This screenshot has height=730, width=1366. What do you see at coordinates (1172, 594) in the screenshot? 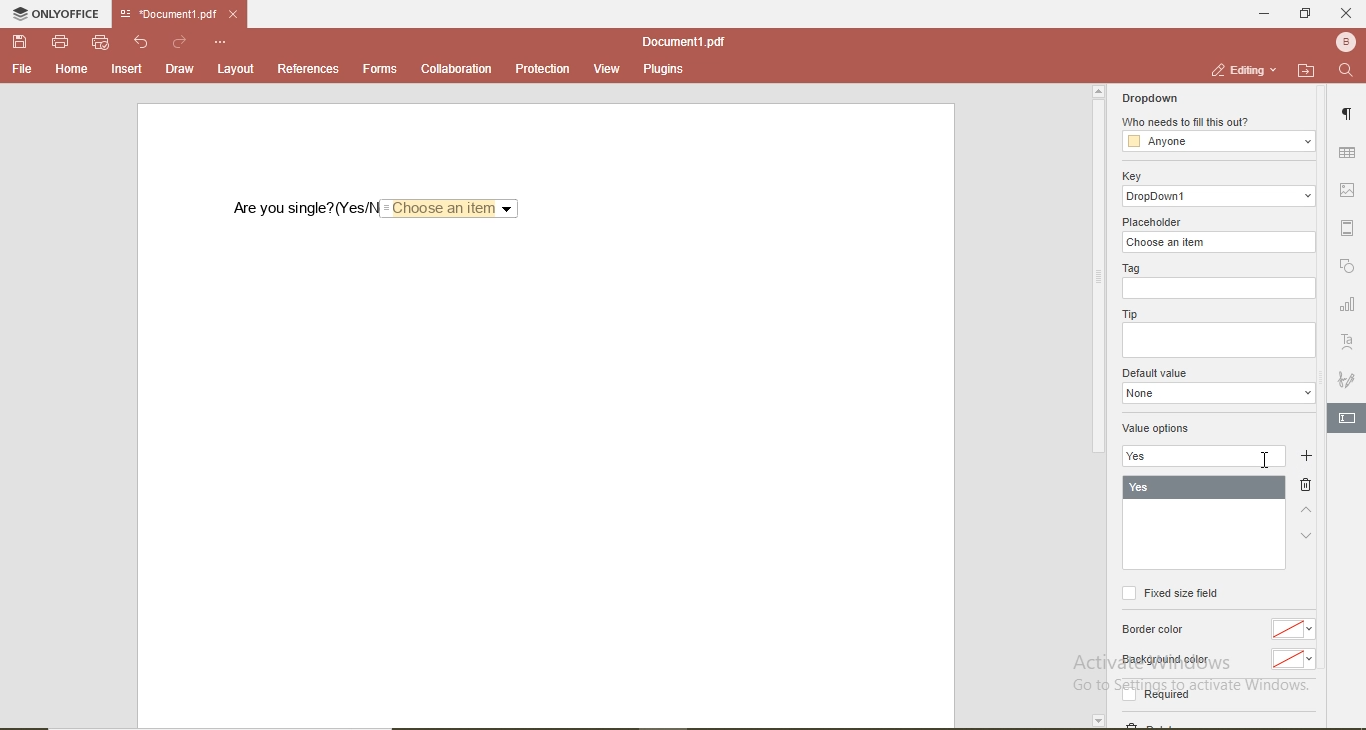
I see `fixed size field` at bounding box center [1172, 594].